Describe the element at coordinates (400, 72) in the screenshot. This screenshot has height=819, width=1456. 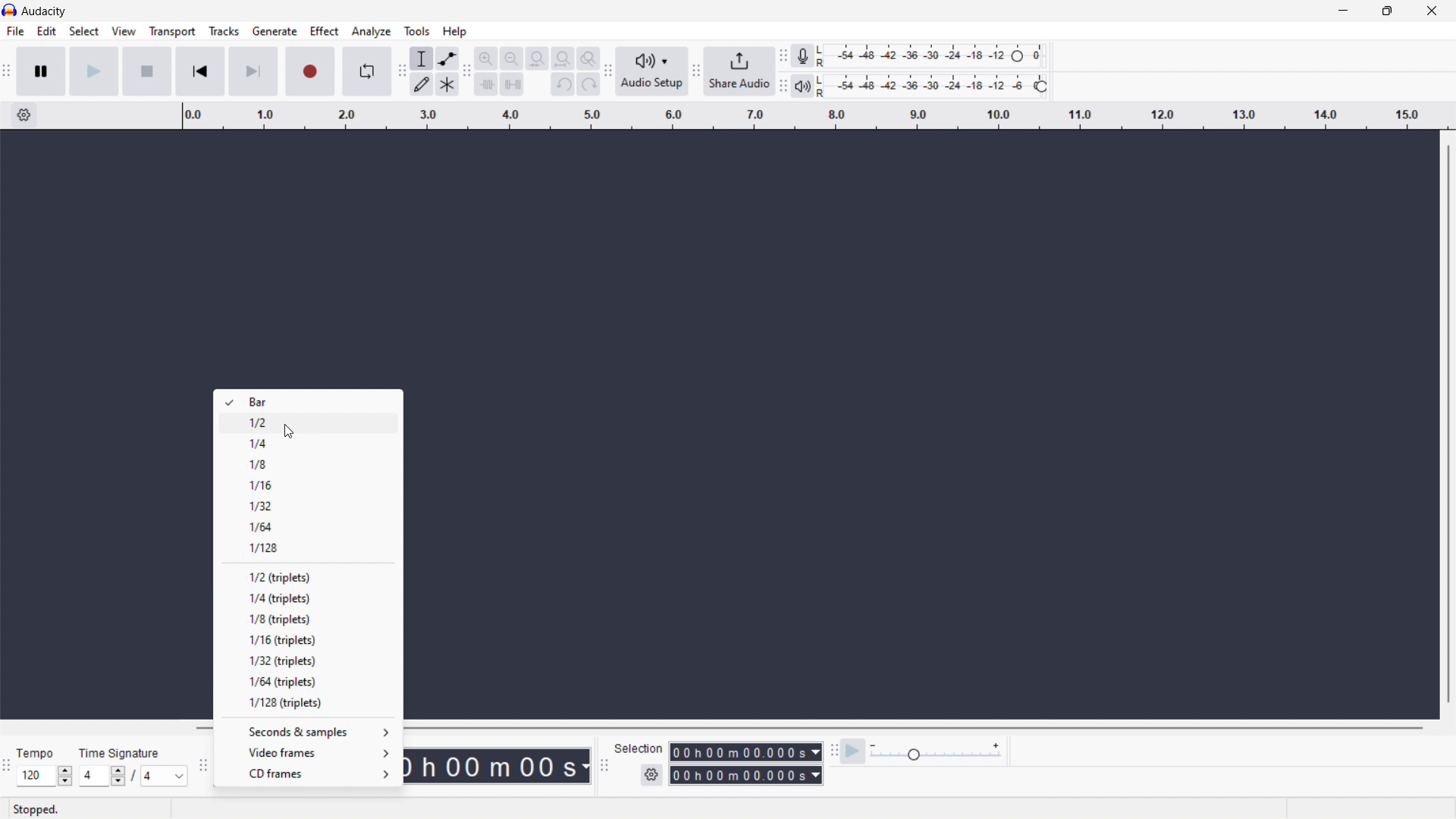
I see `audacity tools toolbar` at that location.